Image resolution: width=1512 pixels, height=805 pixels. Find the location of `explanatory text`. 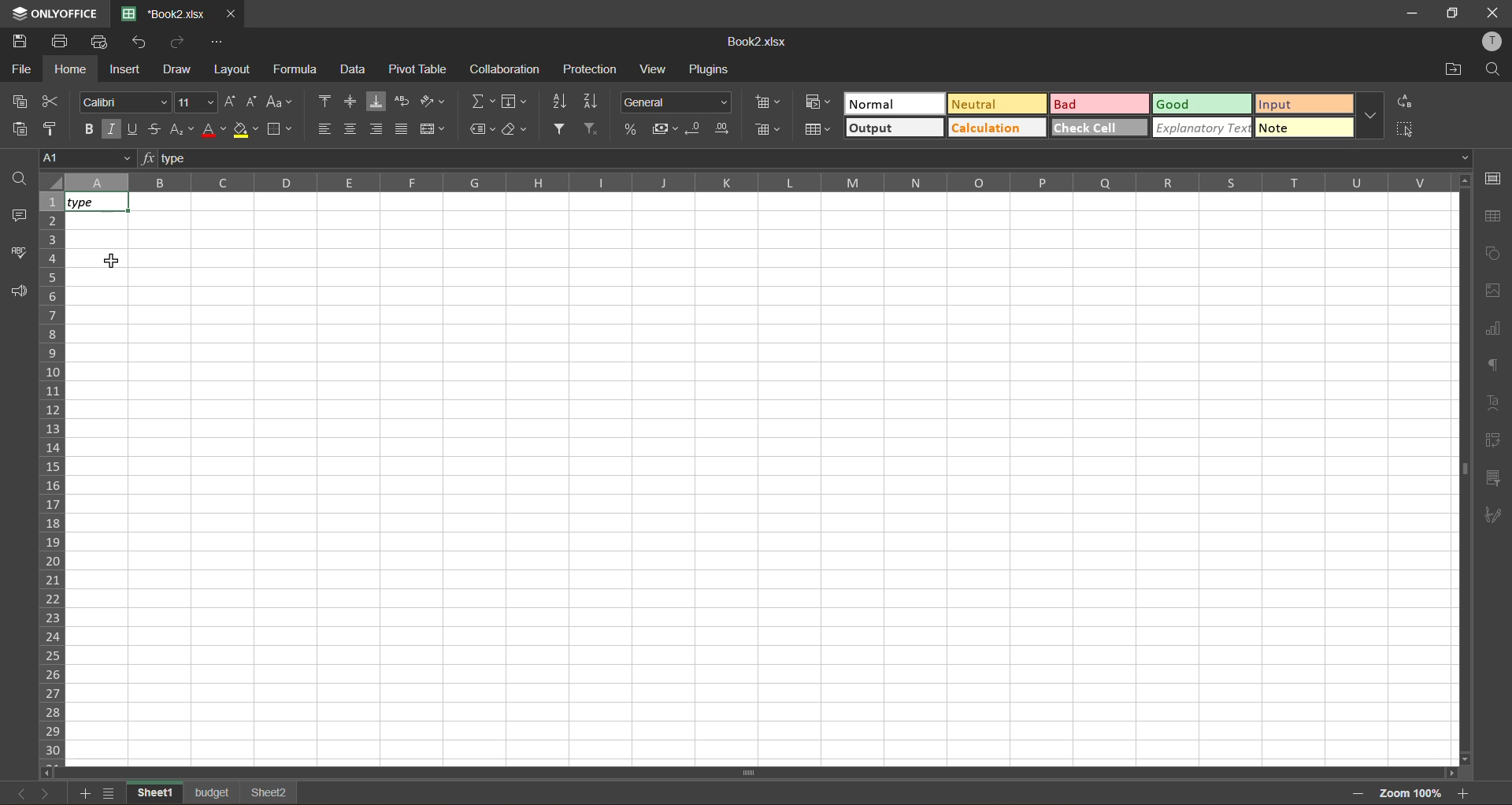

explanatory text is located at coordinates (1201, 128).